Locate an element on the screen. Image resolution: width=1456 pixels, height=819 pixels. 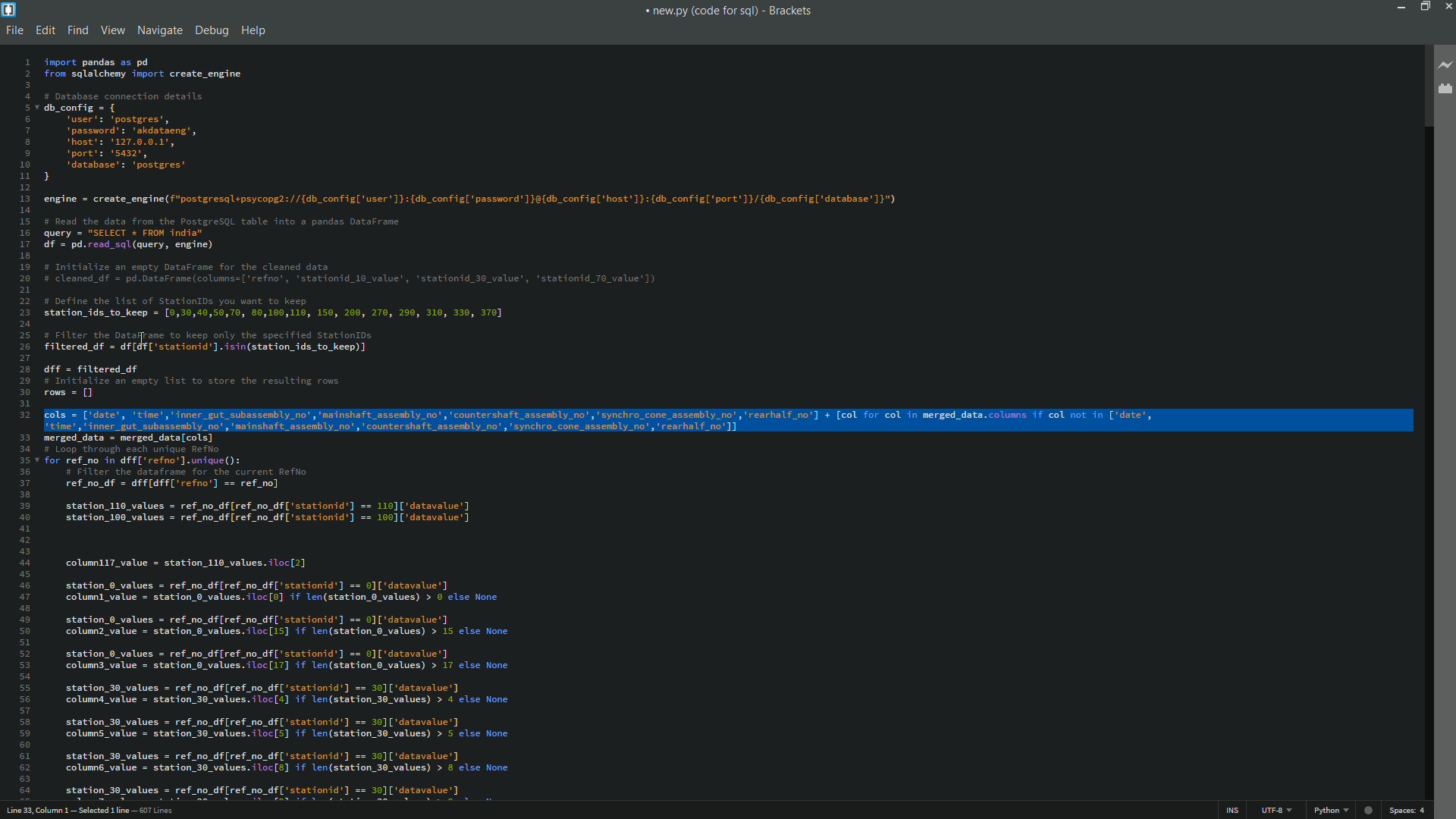
text wrap is located at coordinates (726, 419).